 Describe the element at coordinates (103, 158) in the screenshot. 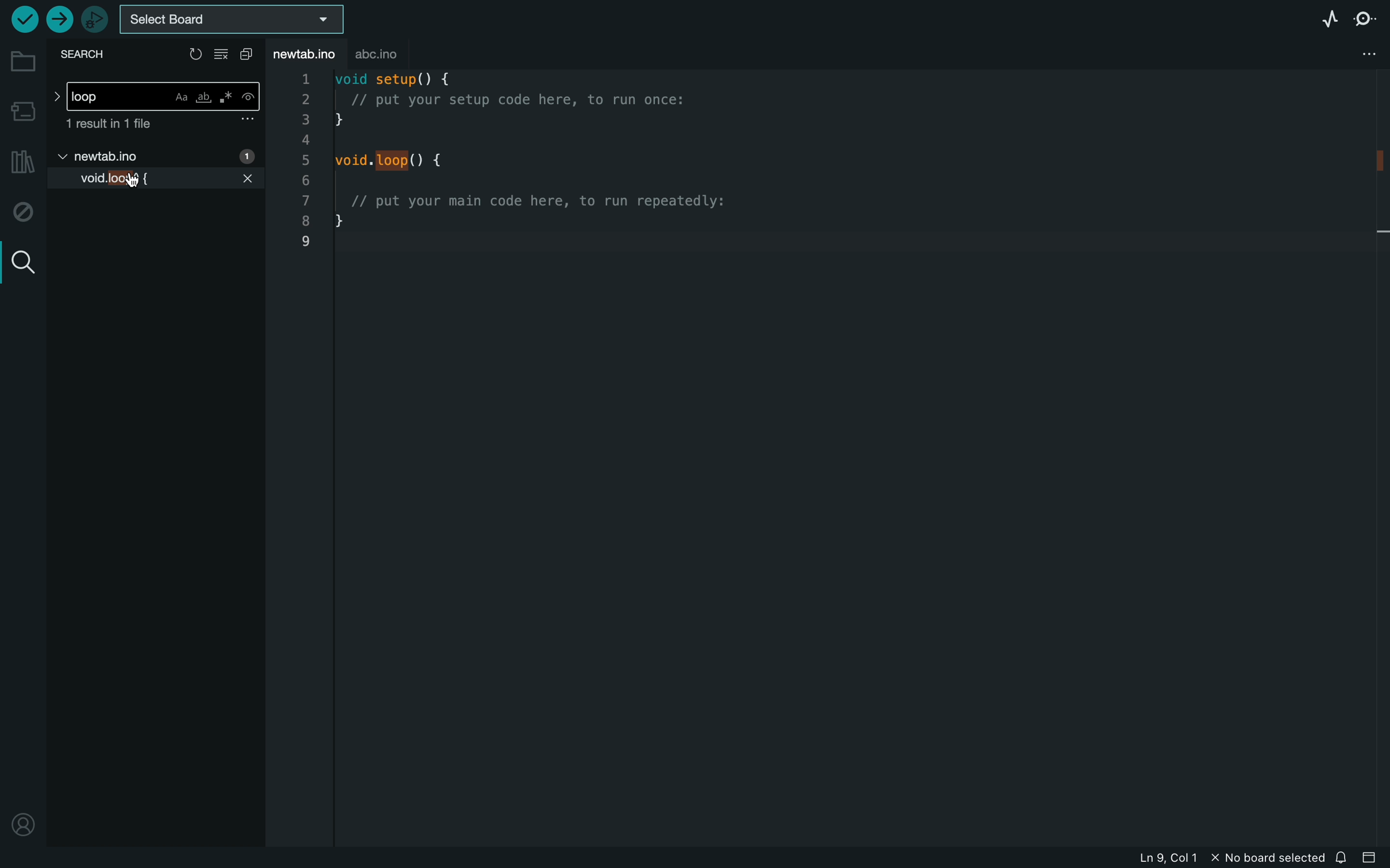

I see `file ` at that location.